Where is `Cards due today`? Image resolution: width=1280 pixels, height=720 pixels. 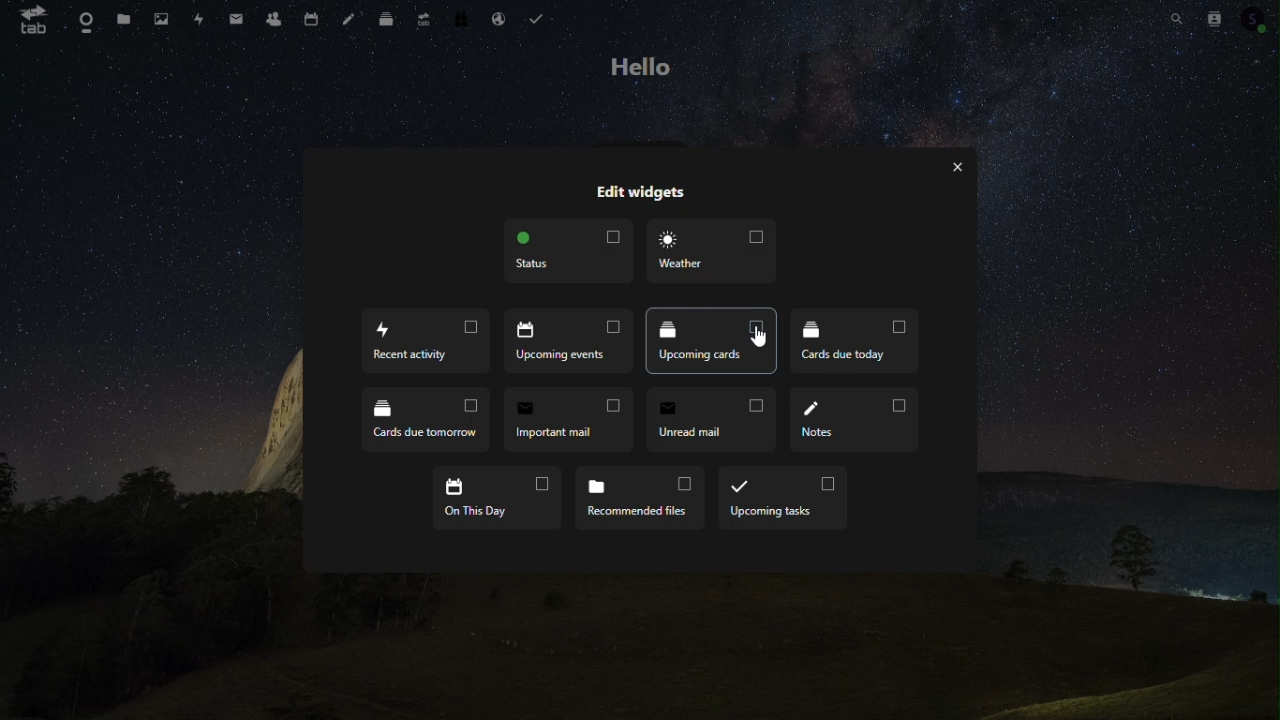
Cards due today is located at coordinates (853, 342).